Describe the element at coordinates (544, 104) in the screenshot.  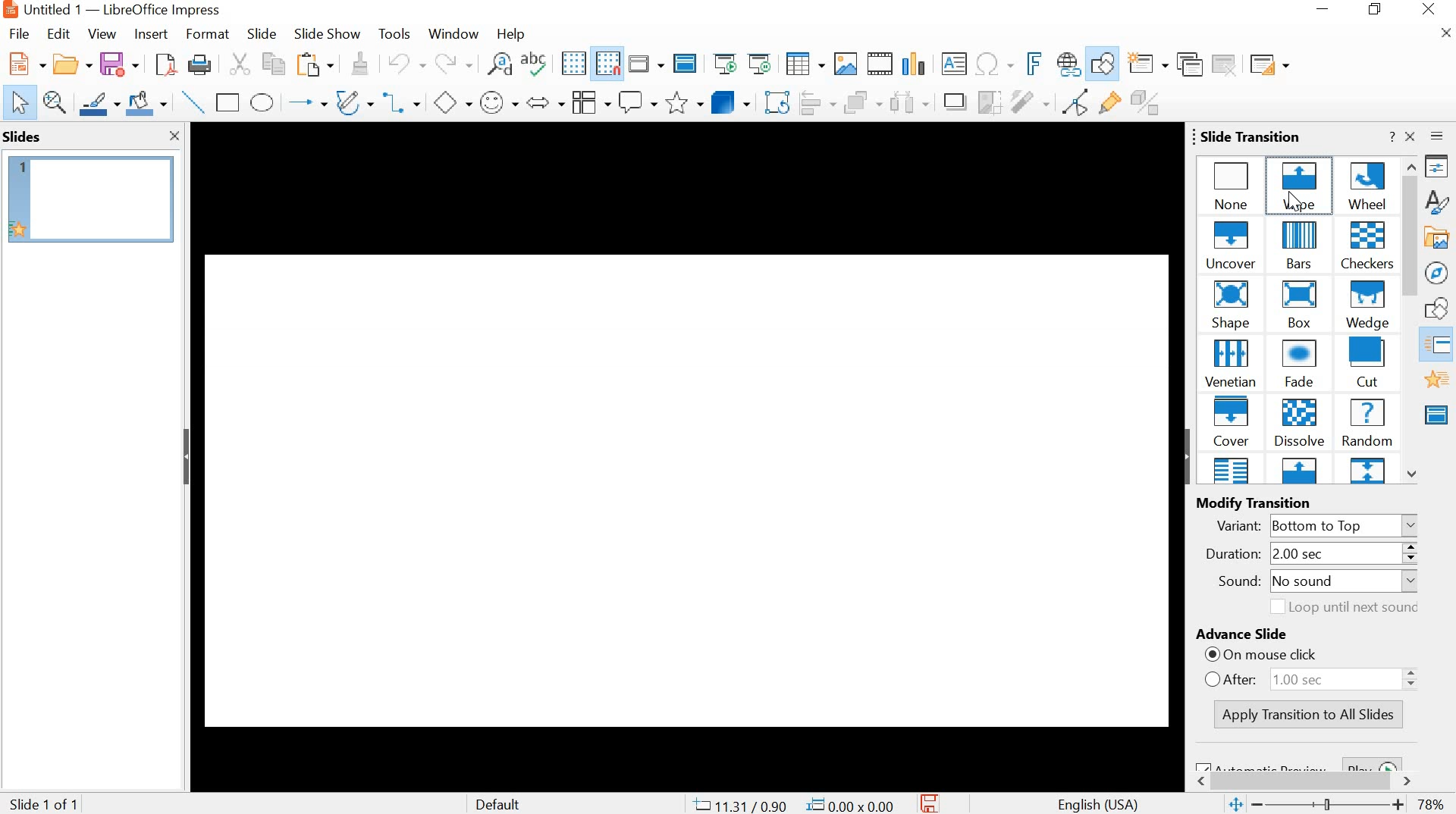
I see `Block Arrows` at that location.